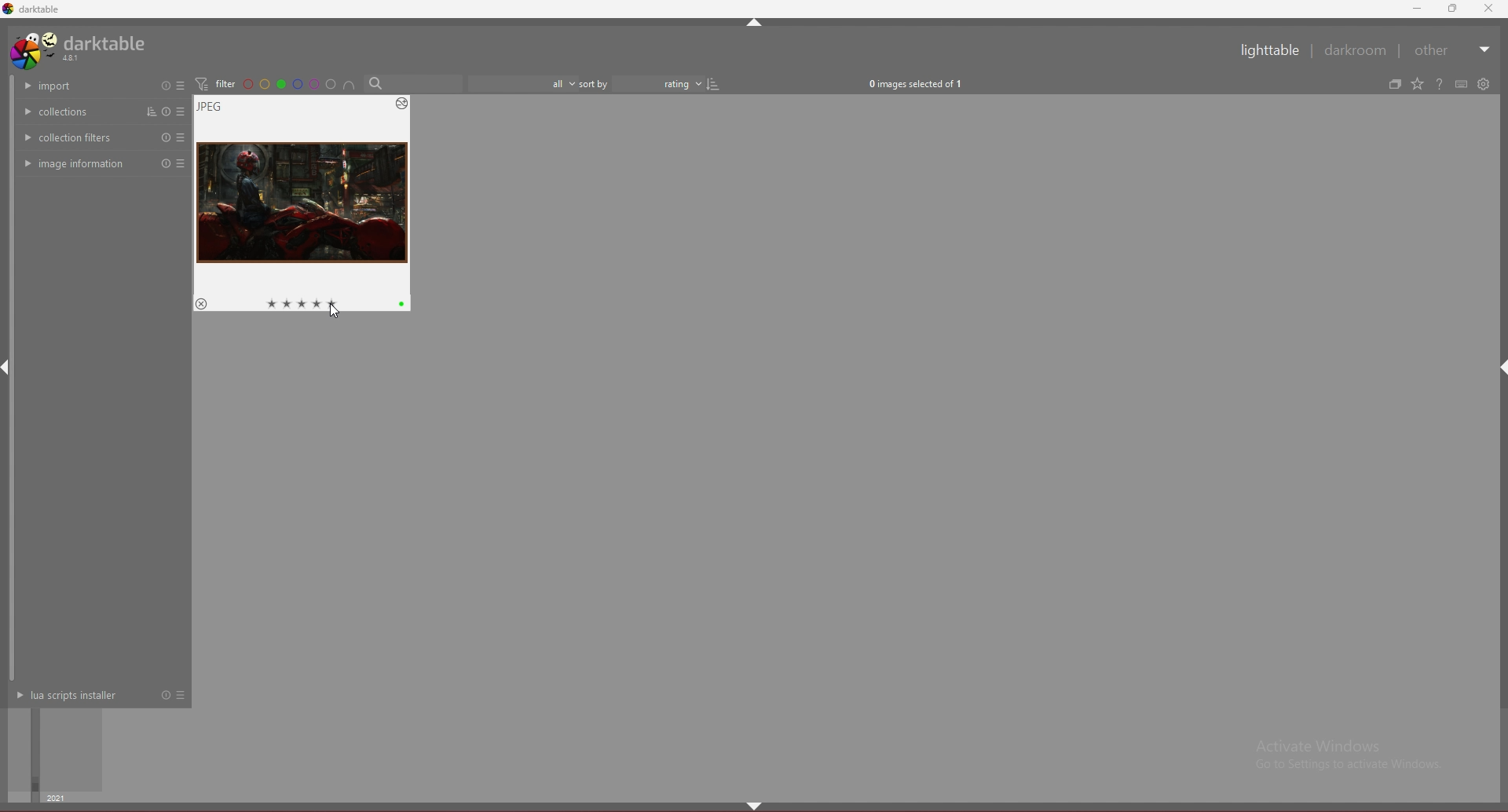 The width and height of the screenshot is (1508, 812). I want to click on image, so click(302, 203).